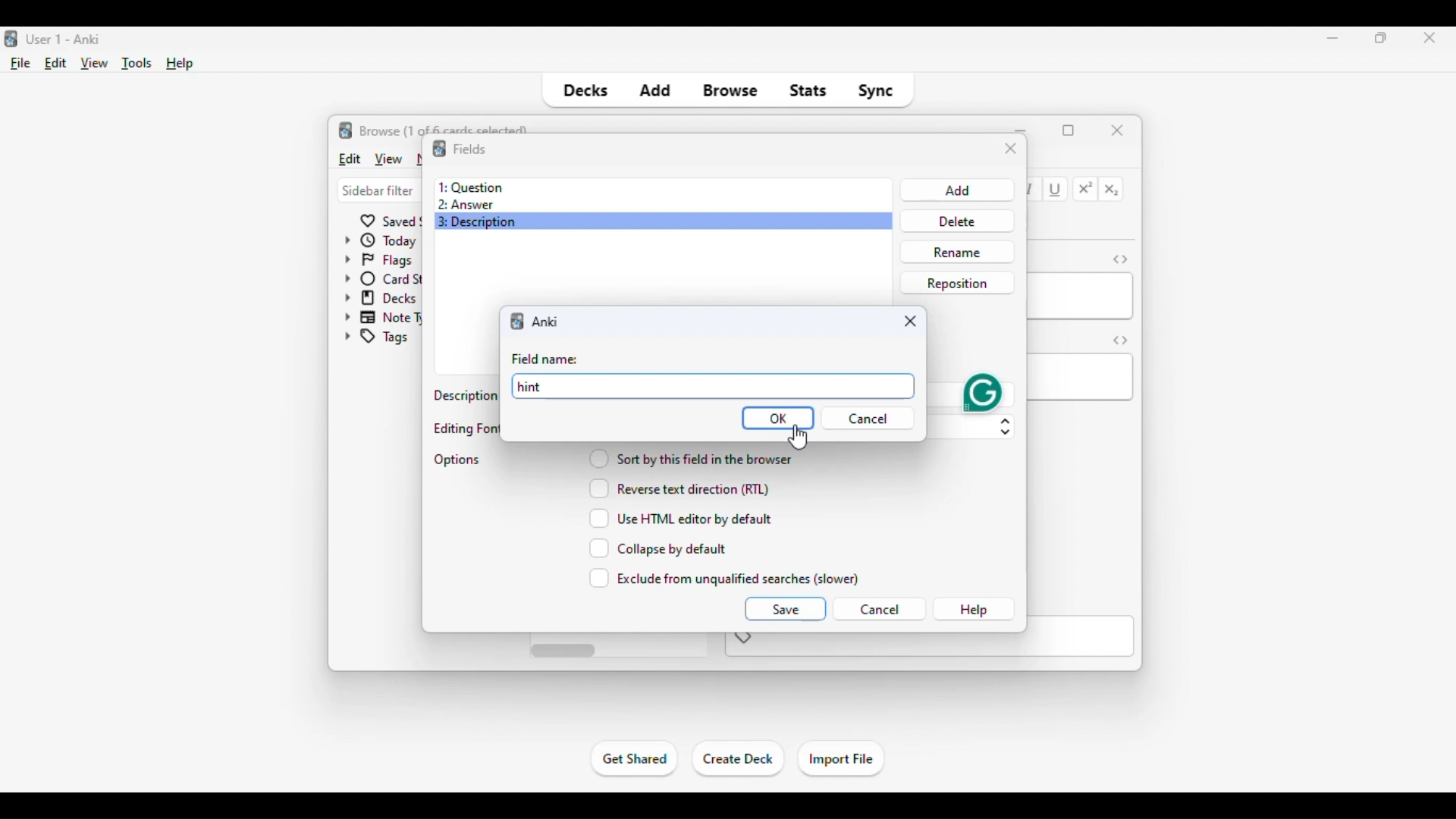 This screenshot has height=819, width=1456. I want to click on logo, so click(9, 39).